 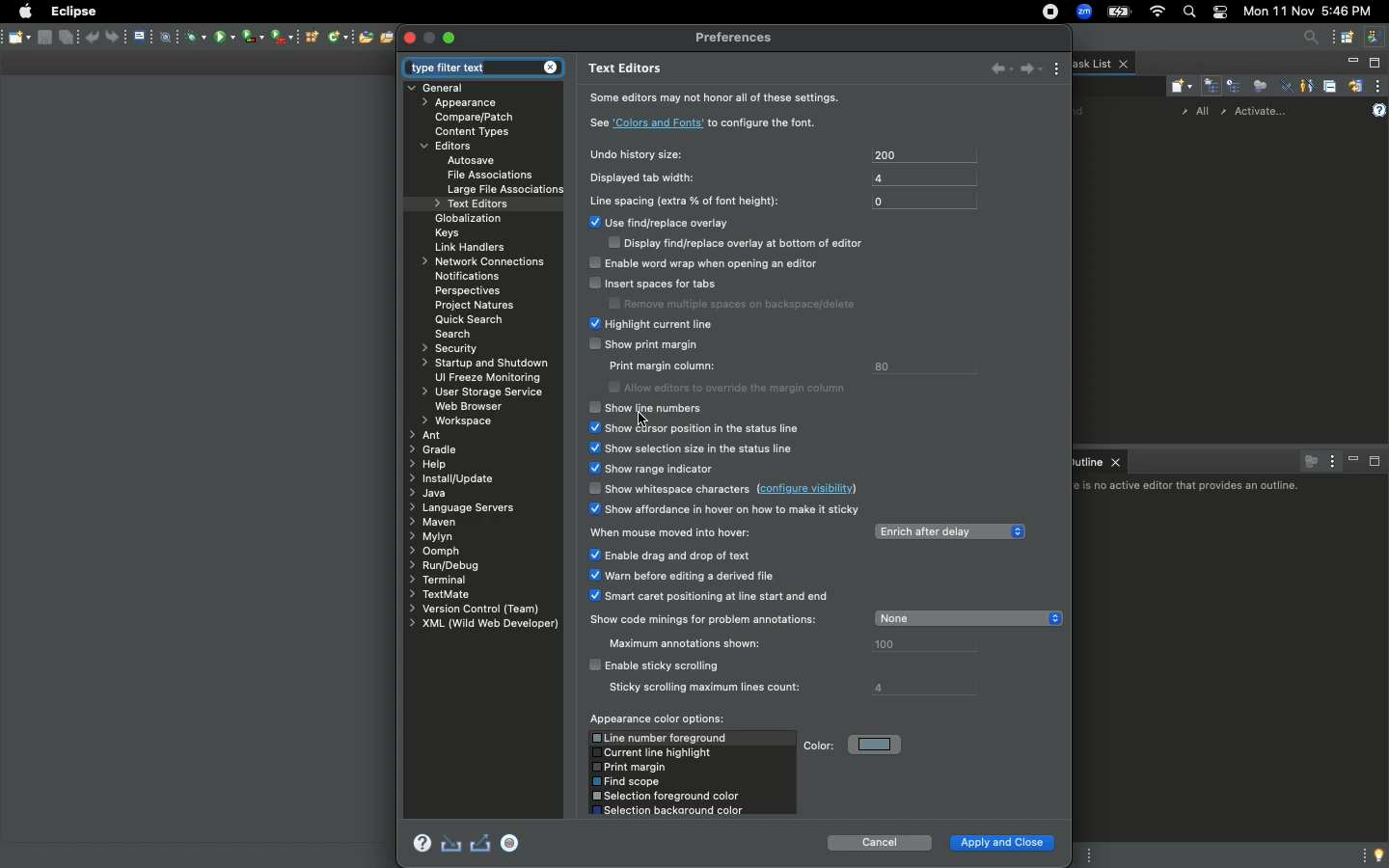 I want to click on Quick search, so click(x=470, y=318).